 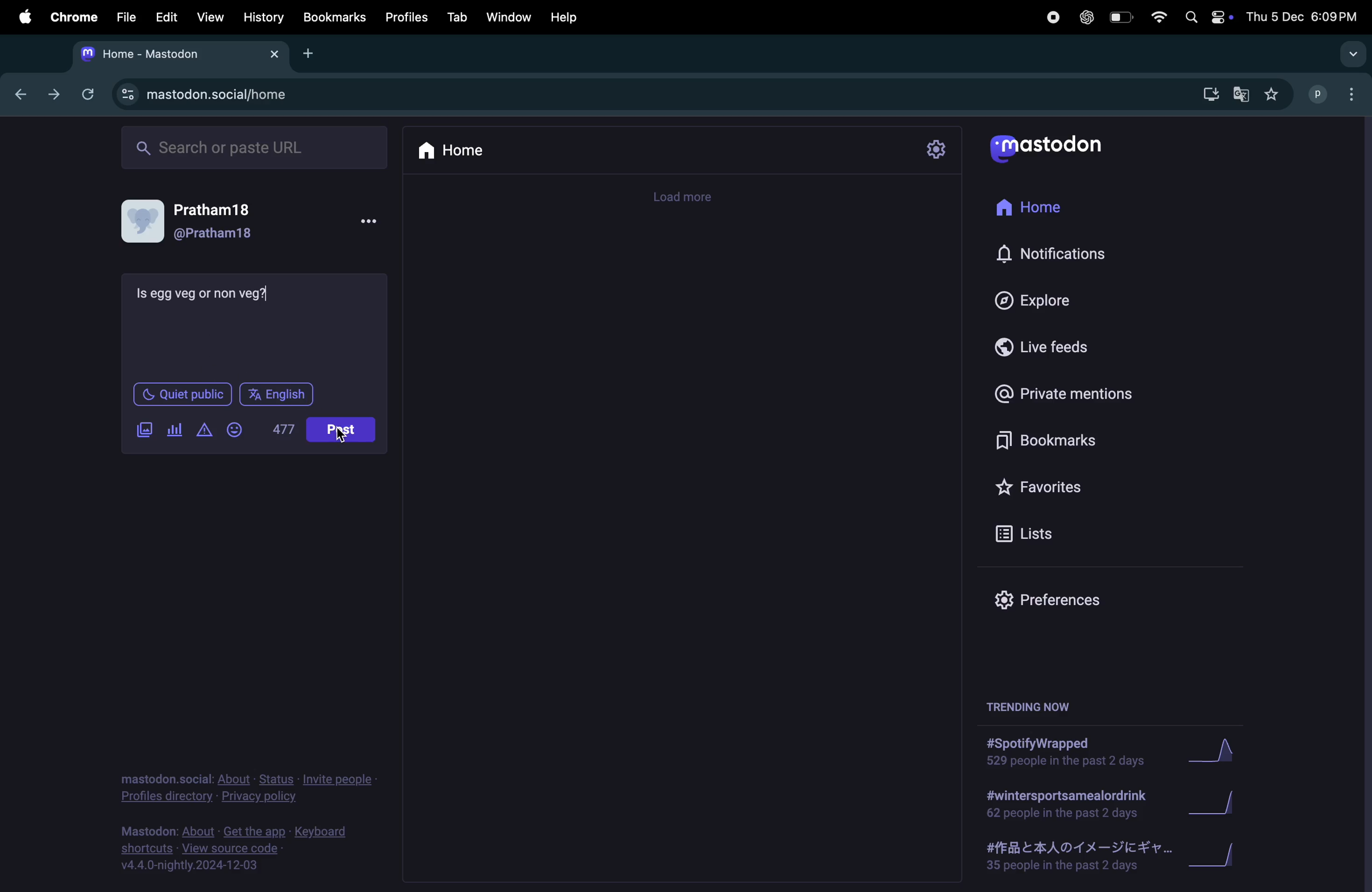 I want to click on Notifications, so click(x=1055, y=252).